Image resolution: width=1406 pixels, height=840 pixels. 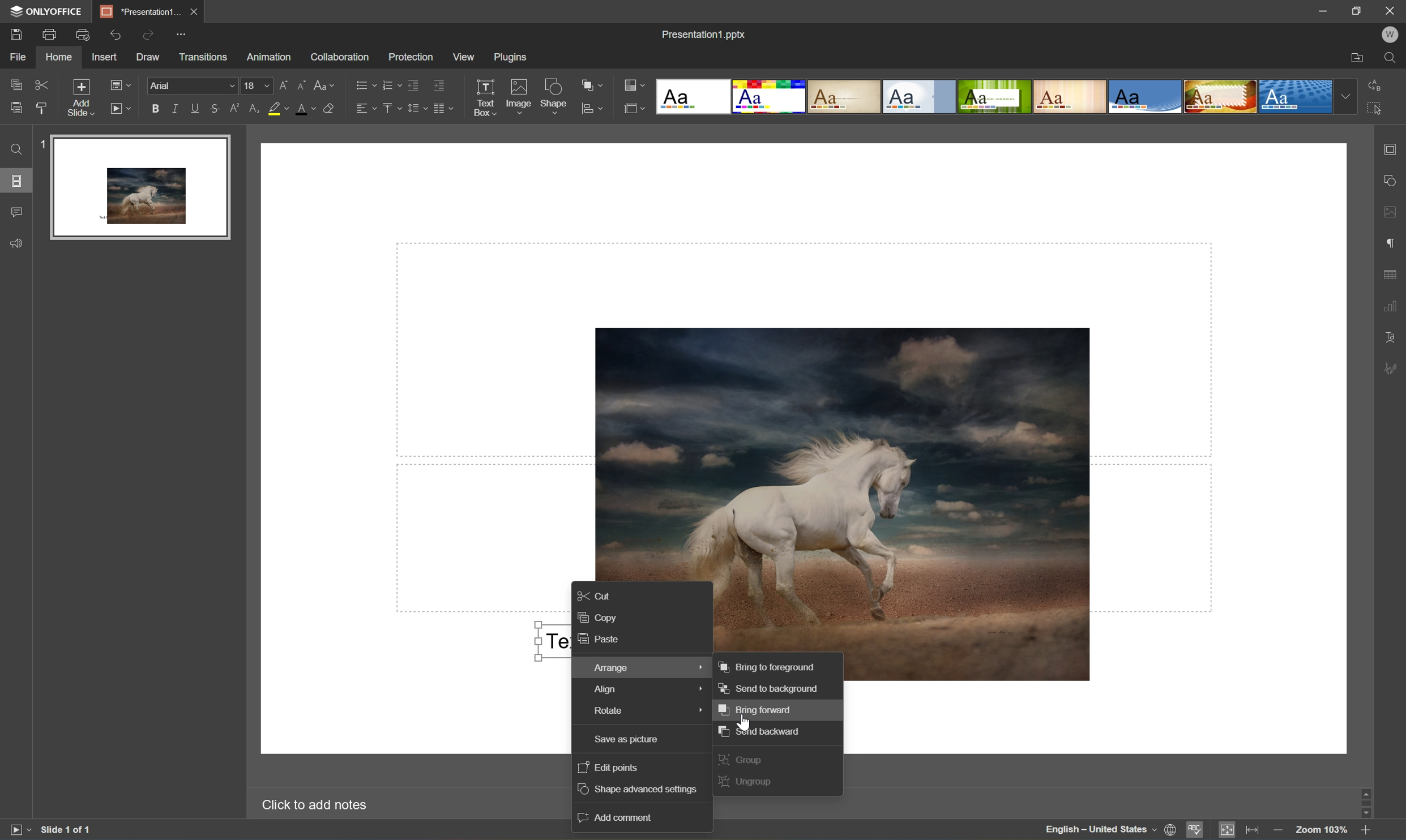 I want to click on Decrement font size, so click(x=304, y=87).